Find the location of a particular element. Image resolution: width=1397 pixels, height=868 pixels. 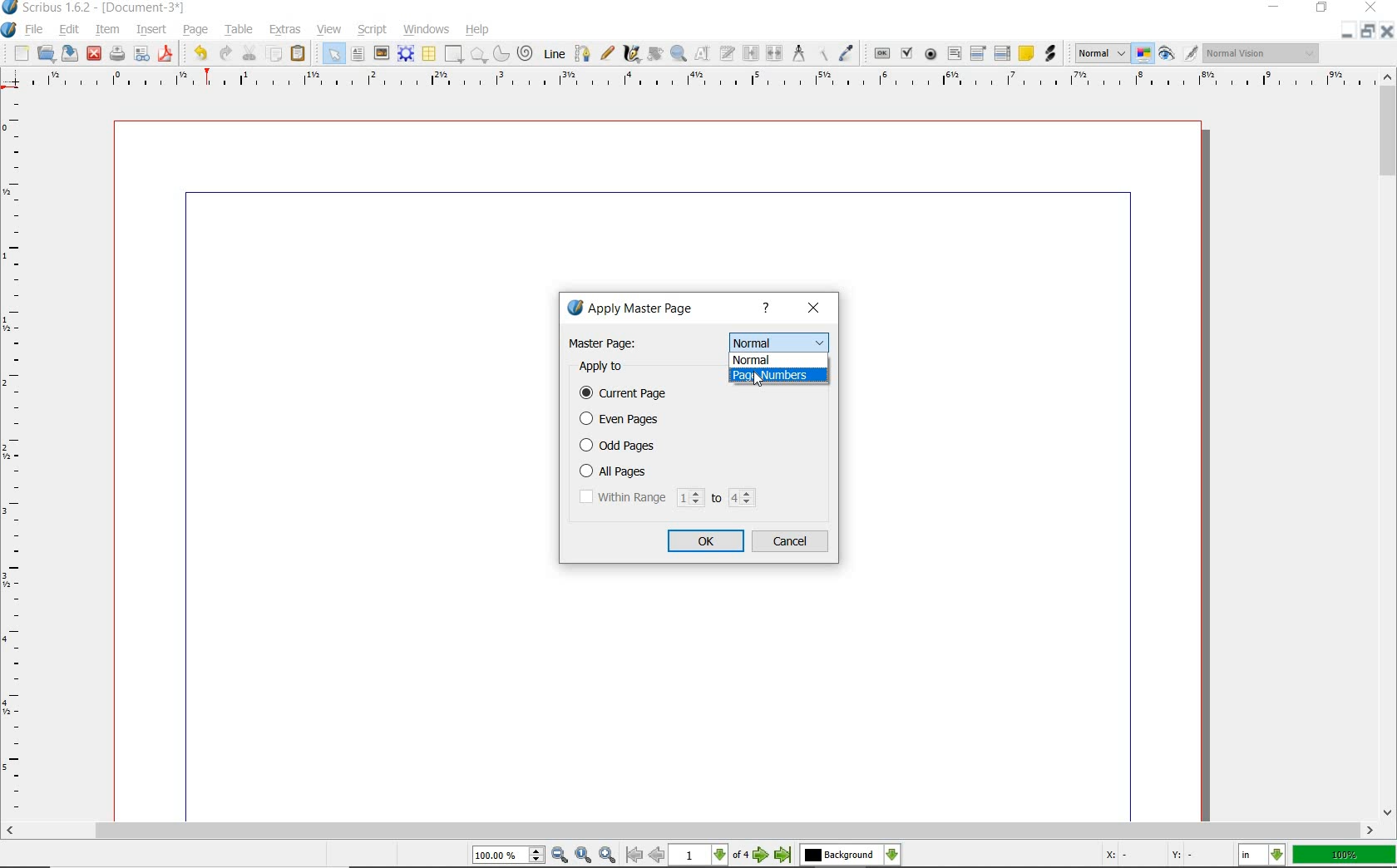

pdf check box is located at coordinates (906, 52).